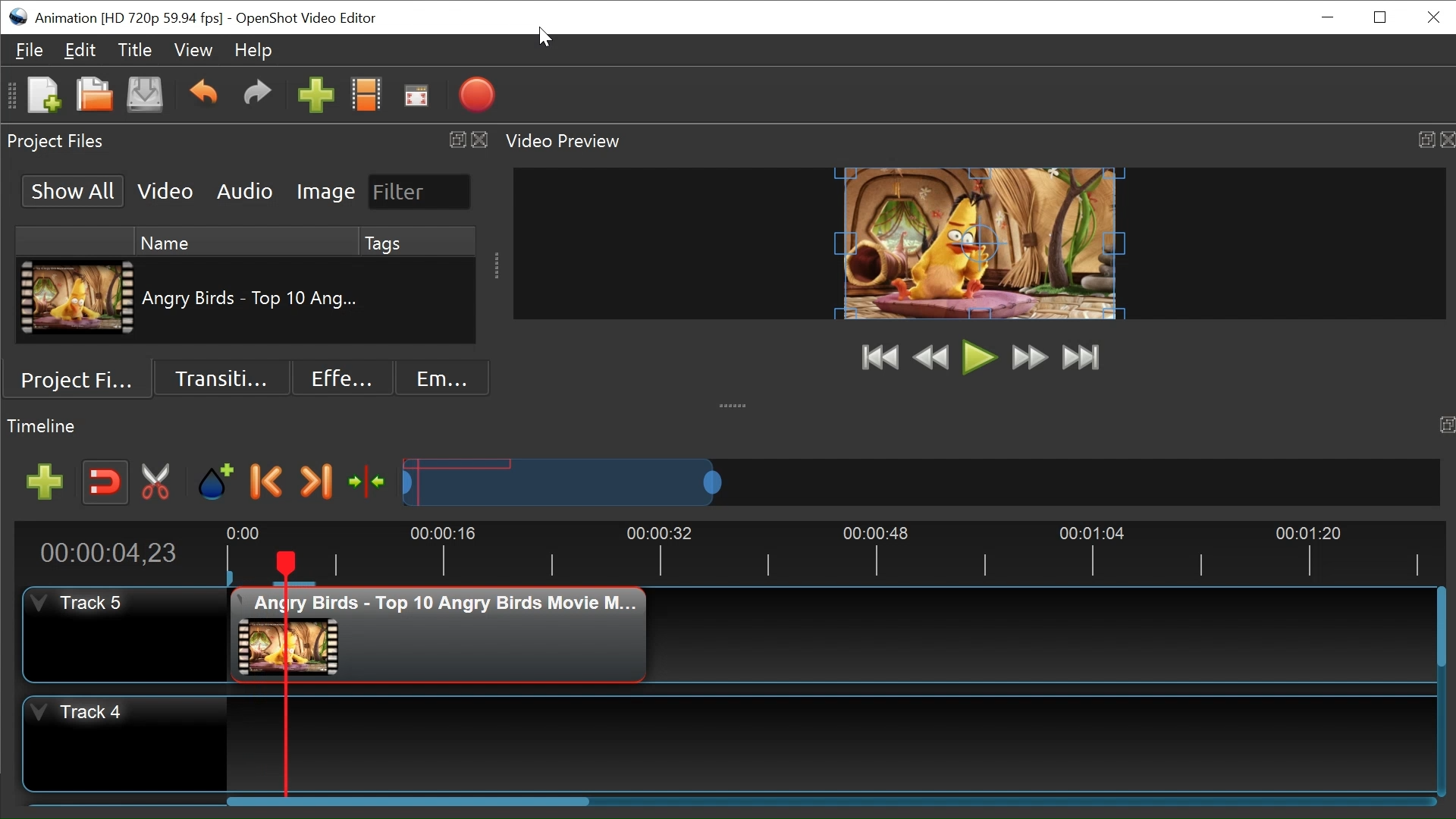 The height and width of the screenshot is (819, 1456). I want to click on Video, so click(165, 190).